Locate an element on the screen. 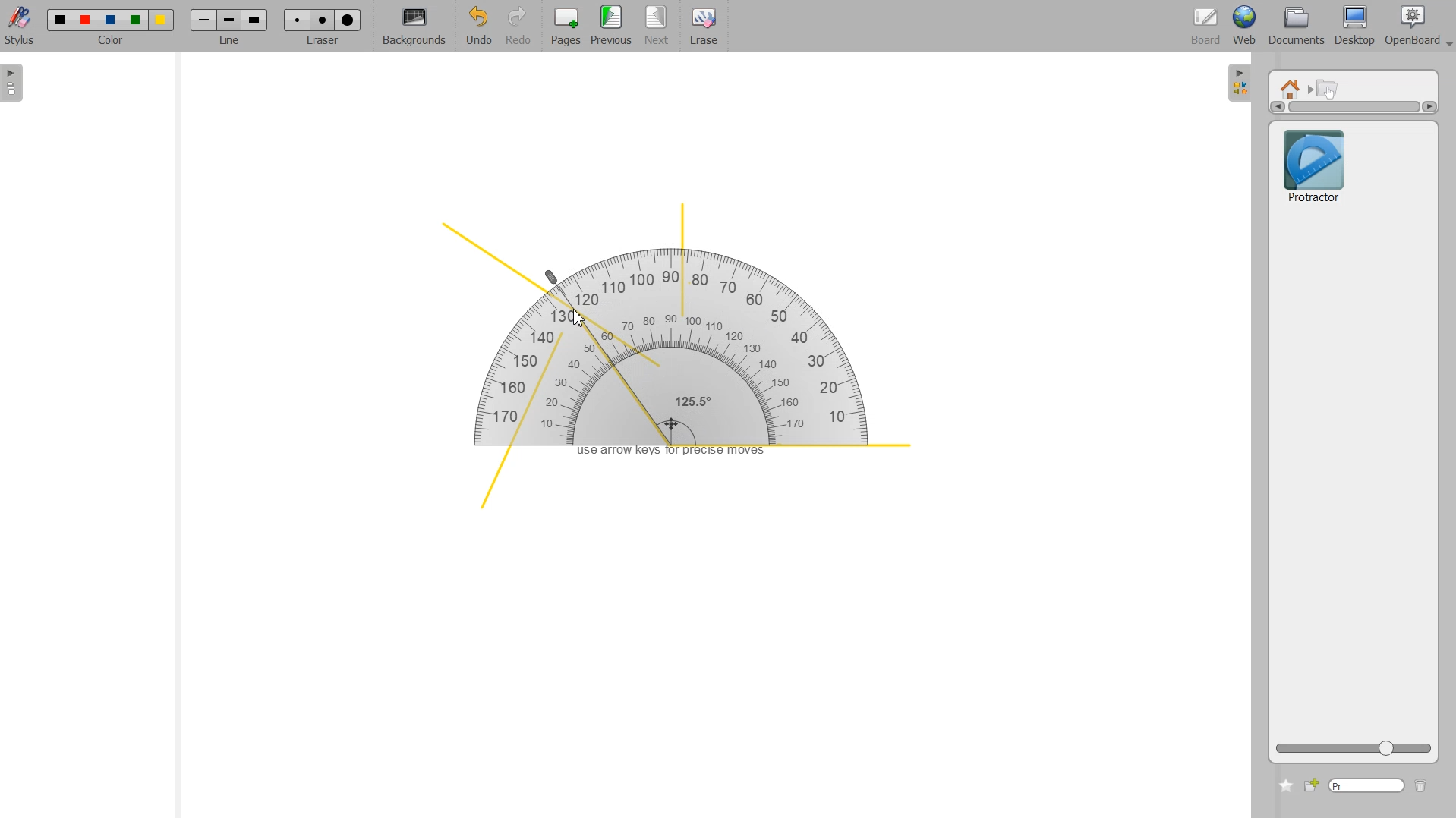 Image resolution: width=1456 pixels, height=818 pixels. Redo is located at coordinates (518, 27).